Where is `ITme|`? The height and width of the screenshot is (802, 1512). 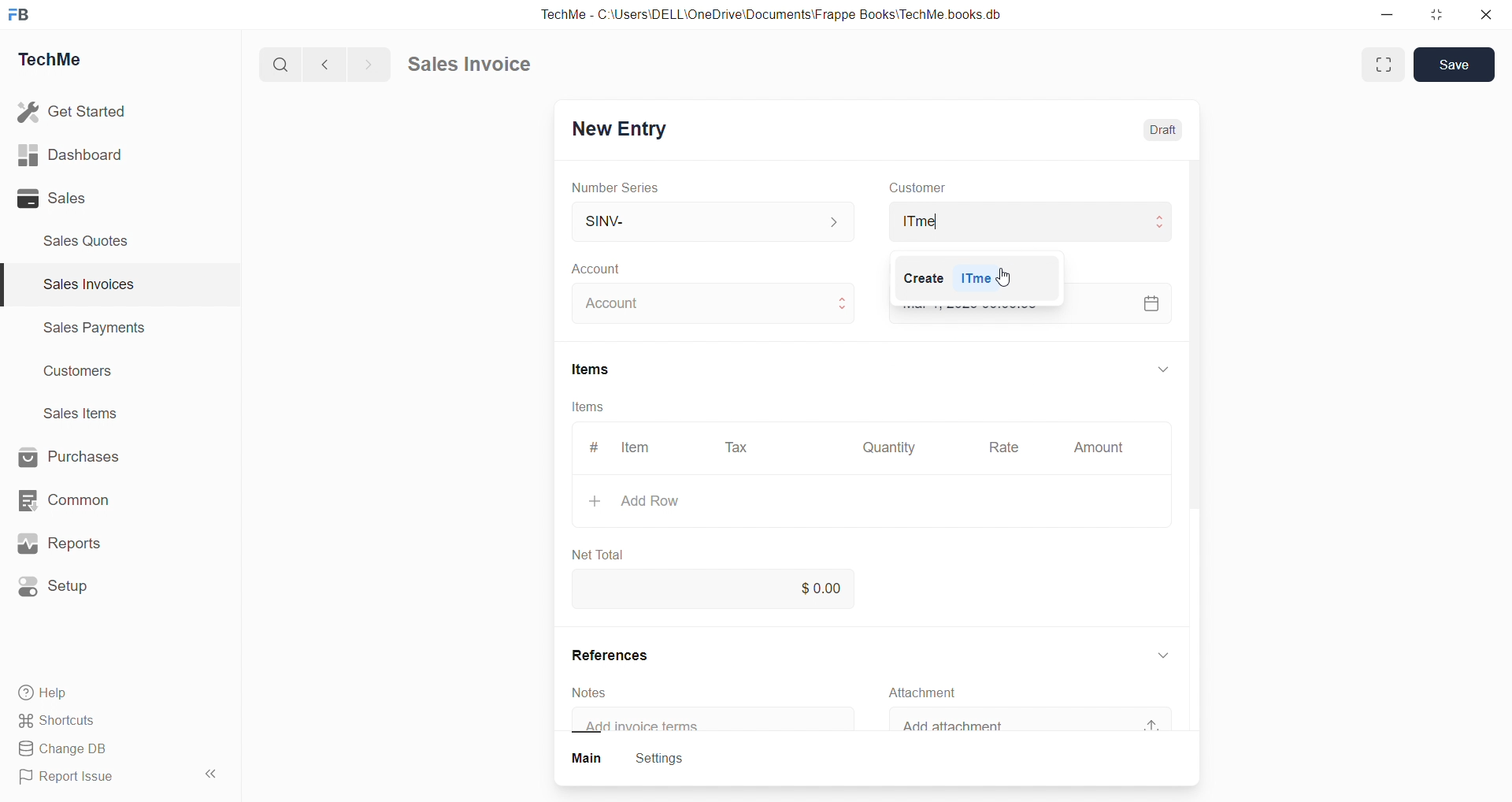 ITme| is located at coordinates (1028, 221).